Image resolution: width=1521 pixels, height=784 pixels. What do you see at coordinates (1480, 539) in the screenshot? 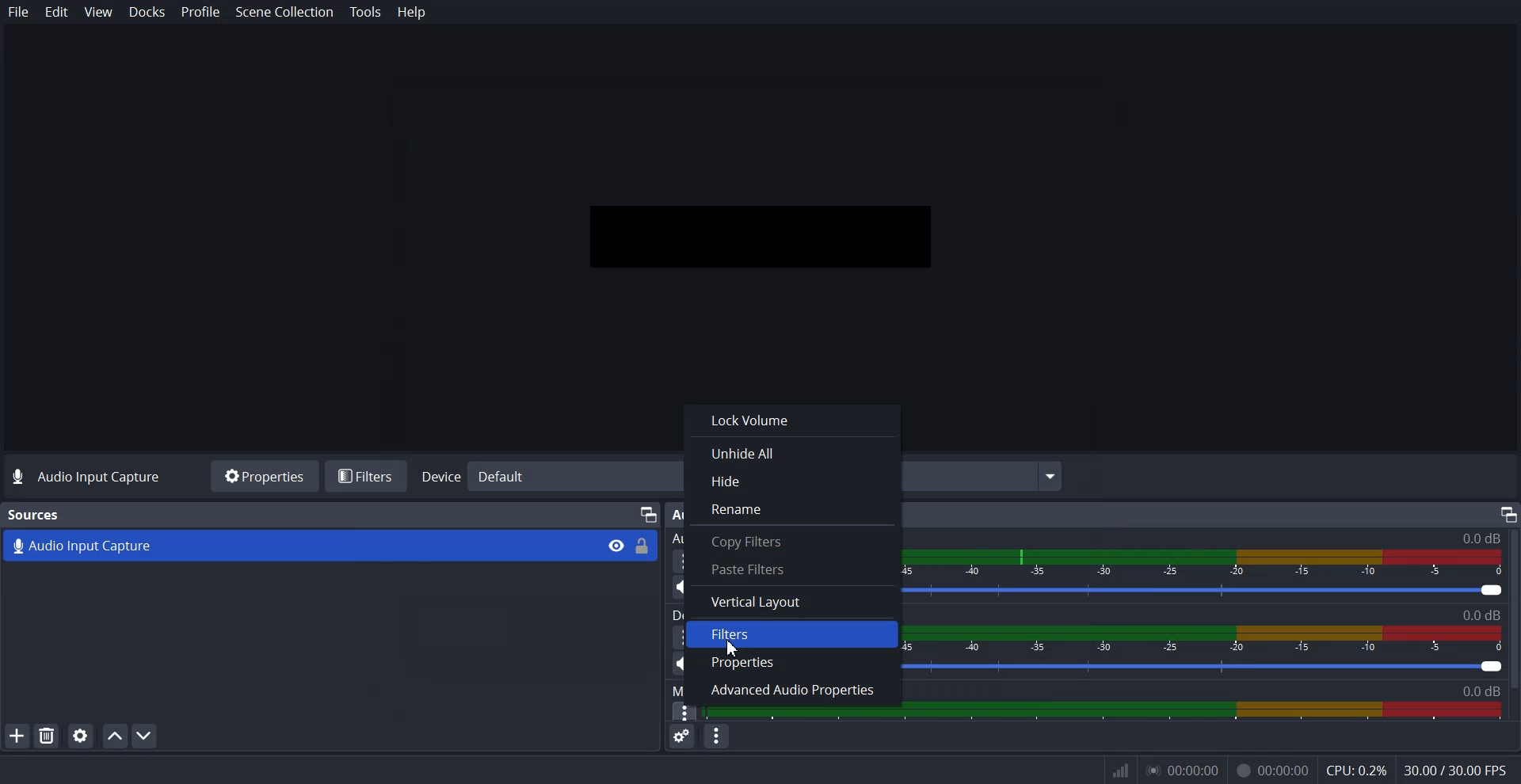
I see `Audio Input capture` at bounding box center [1480, 539].